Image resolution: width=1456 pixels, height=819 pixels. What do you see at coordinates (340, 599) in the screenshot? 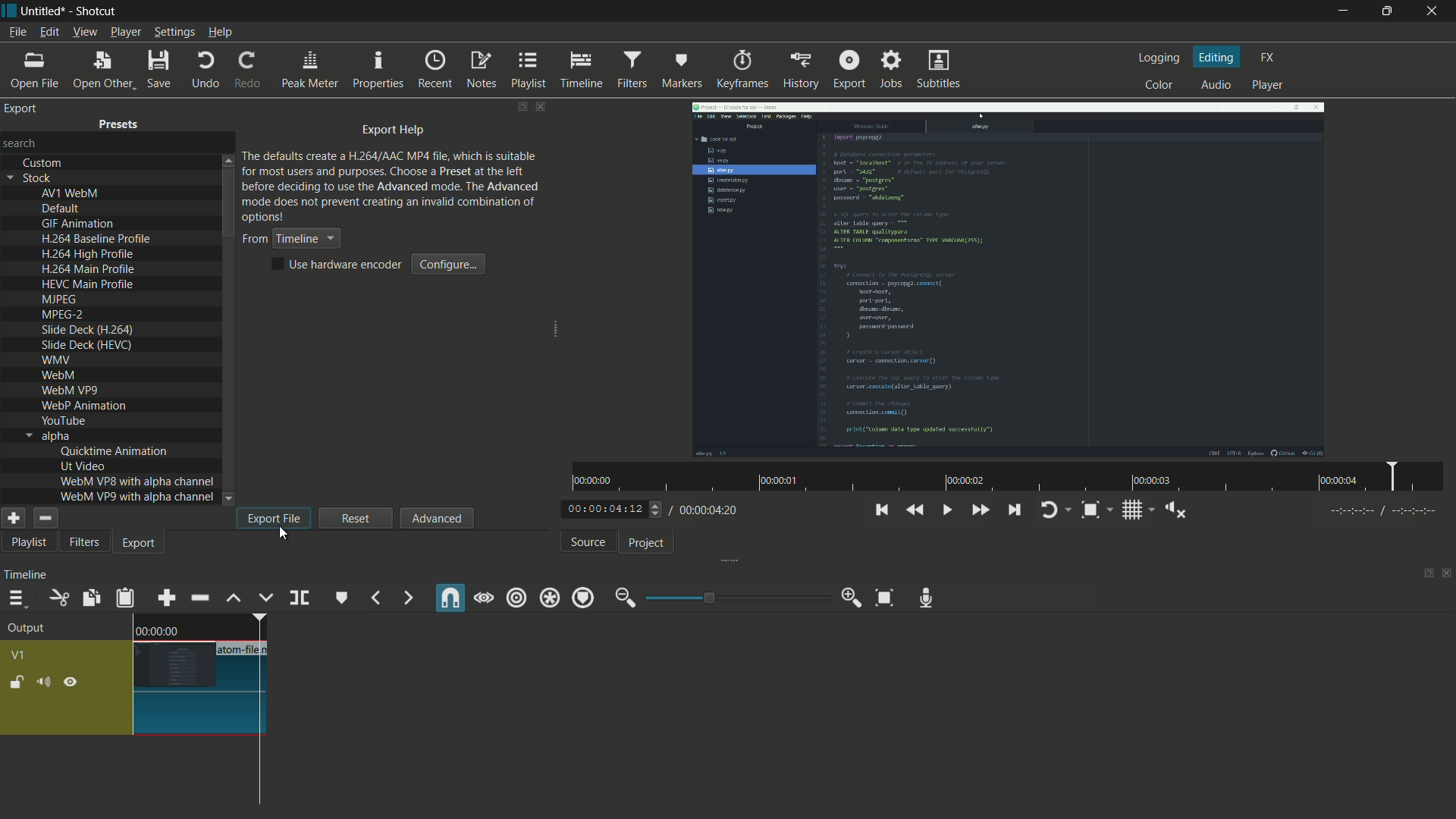
I see `create or edit marker` at bounding box center [340, 599].